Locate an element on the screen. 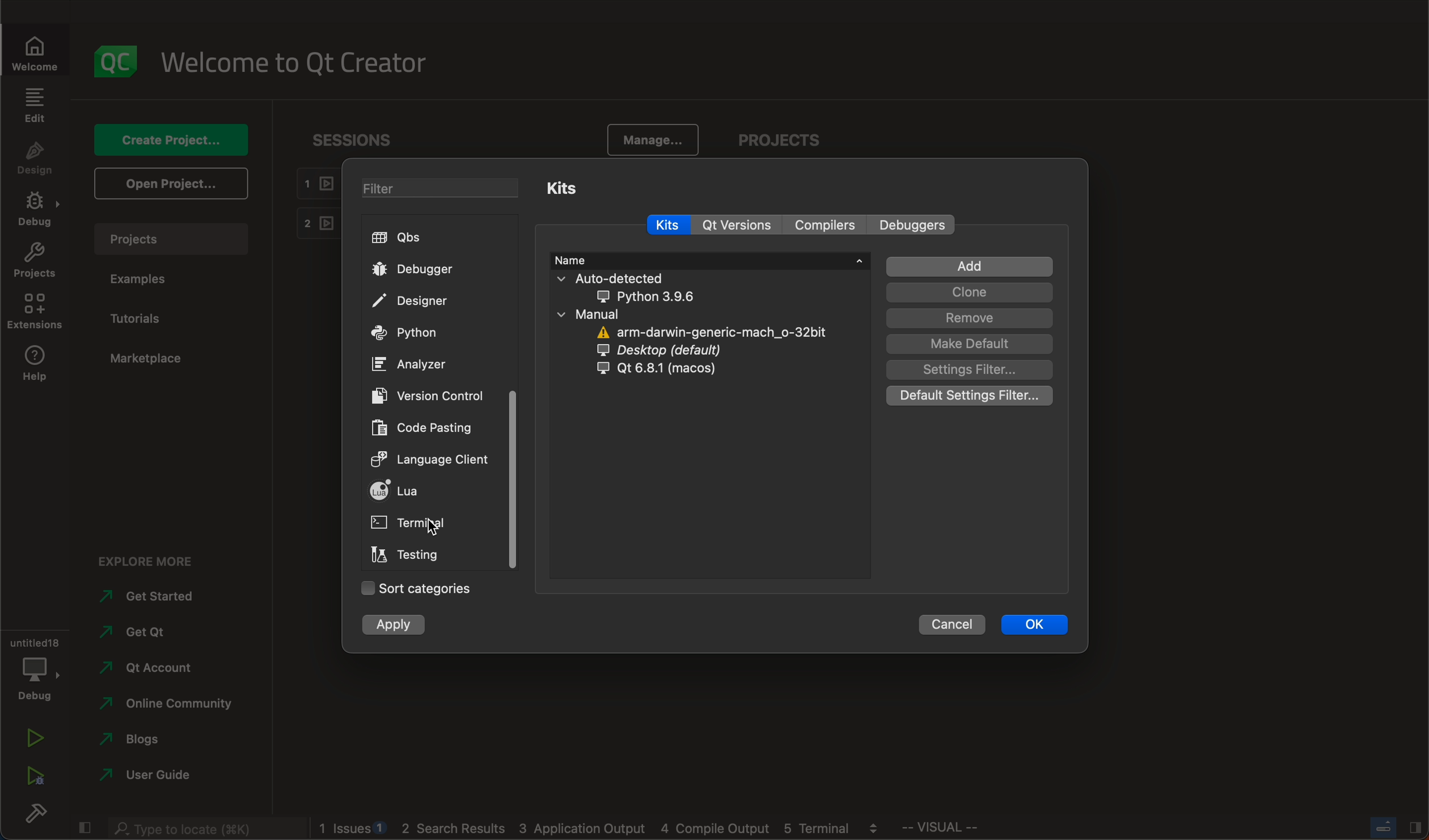 Image resolution: width=1429 pixels, height=840 pixels. settings is located at coordinates (973, 369).